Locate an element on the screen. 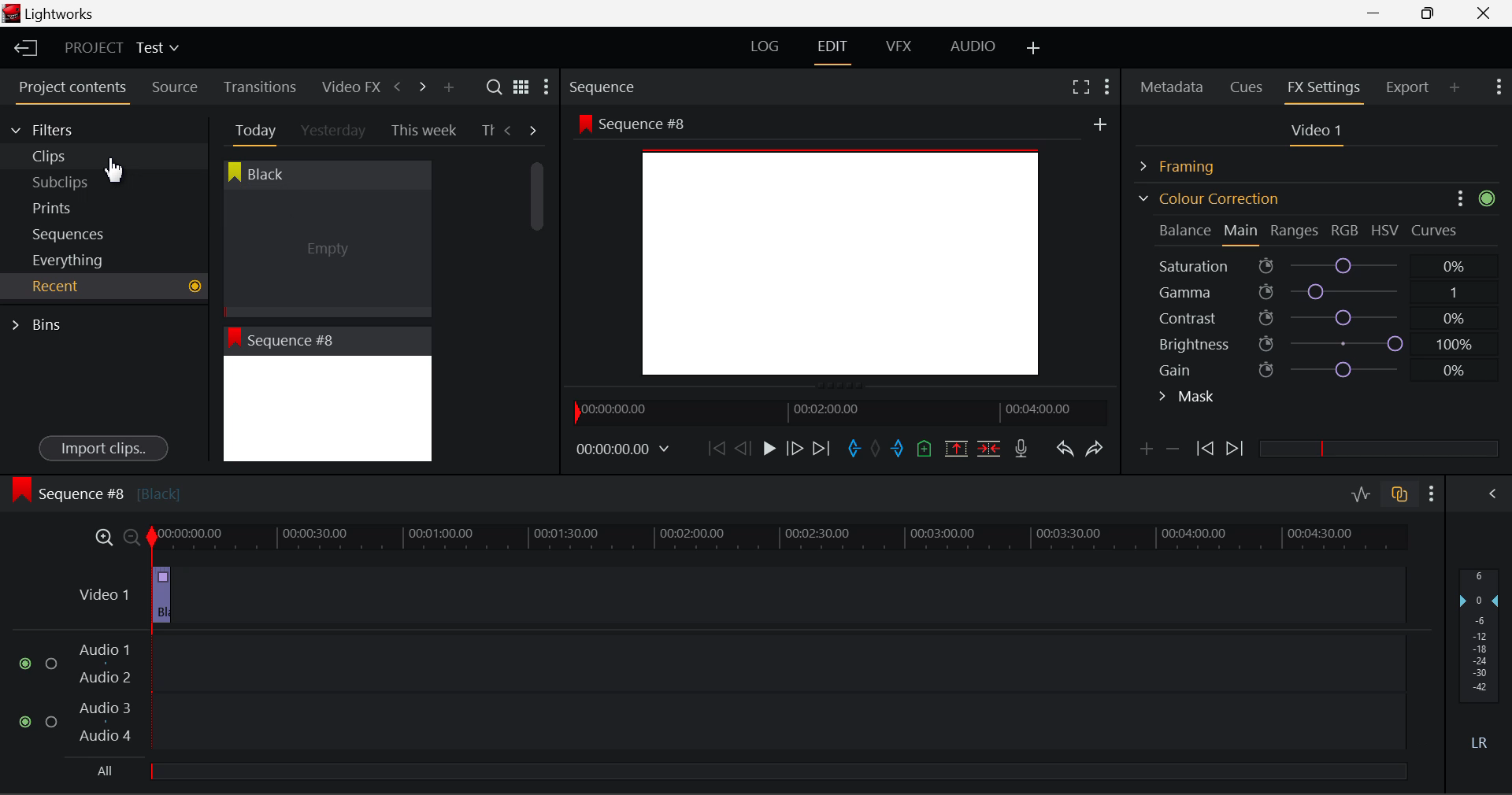 Image resolution: width=1512 pixels, height=795 pixels. Previous Tab is located at coordinates (510, 130).